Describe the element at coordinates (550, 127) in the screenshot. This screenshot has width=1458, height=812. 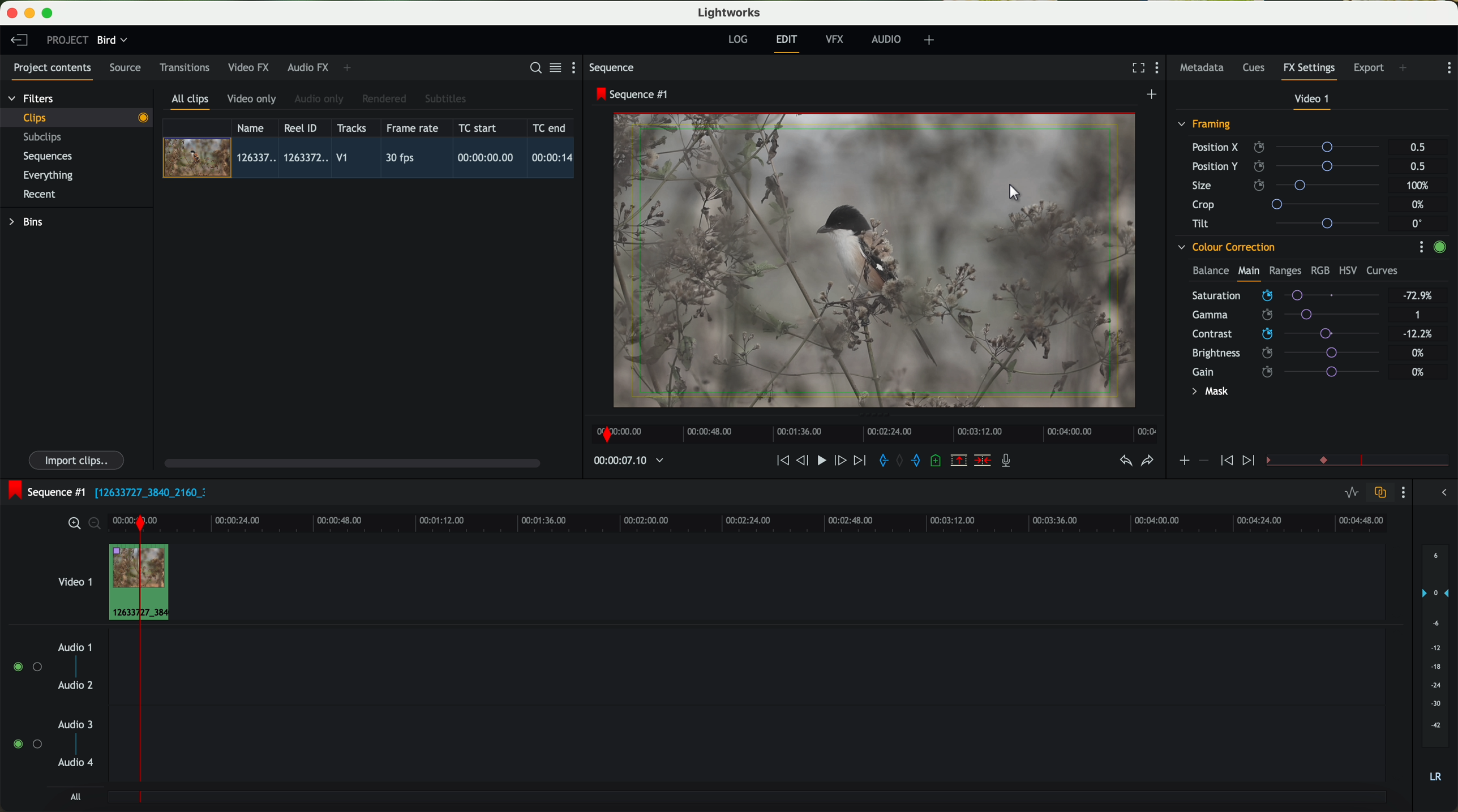
I see `TC end` at that location.